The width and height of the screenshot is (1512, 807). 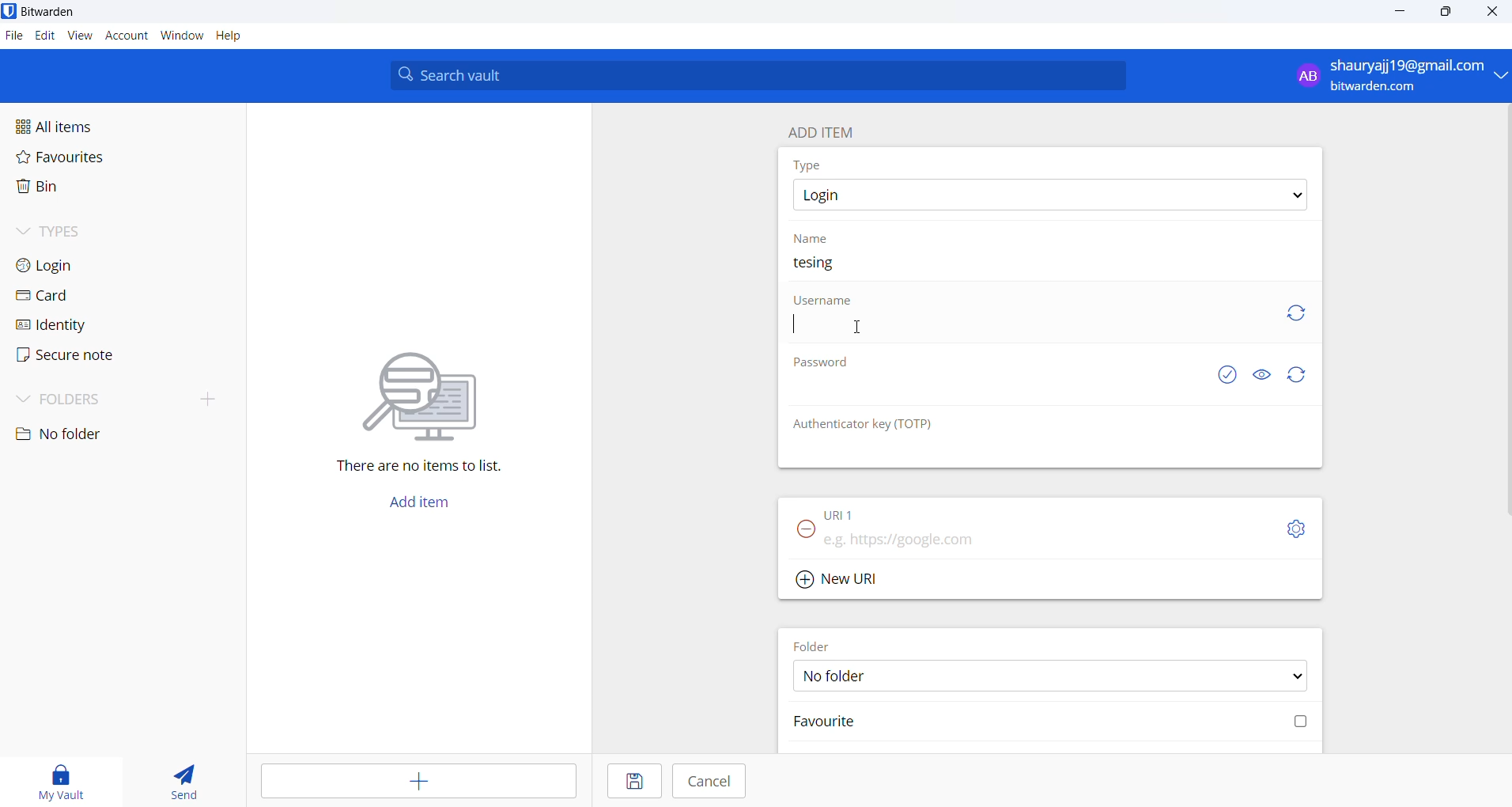 I want to click on maximize, so click(x=1443, y=13).